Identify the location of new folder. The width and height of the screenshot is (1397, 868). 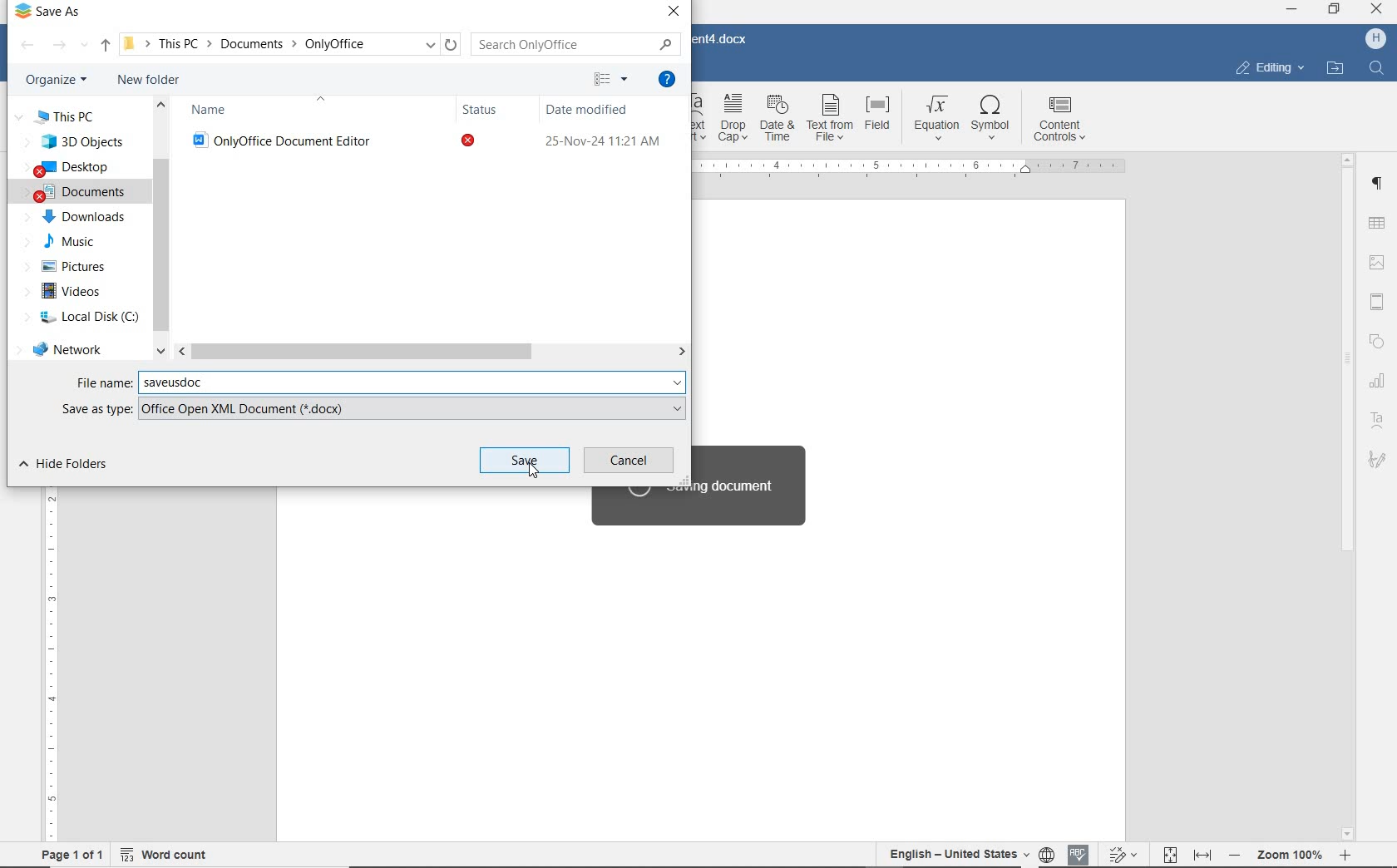
(146, 81).